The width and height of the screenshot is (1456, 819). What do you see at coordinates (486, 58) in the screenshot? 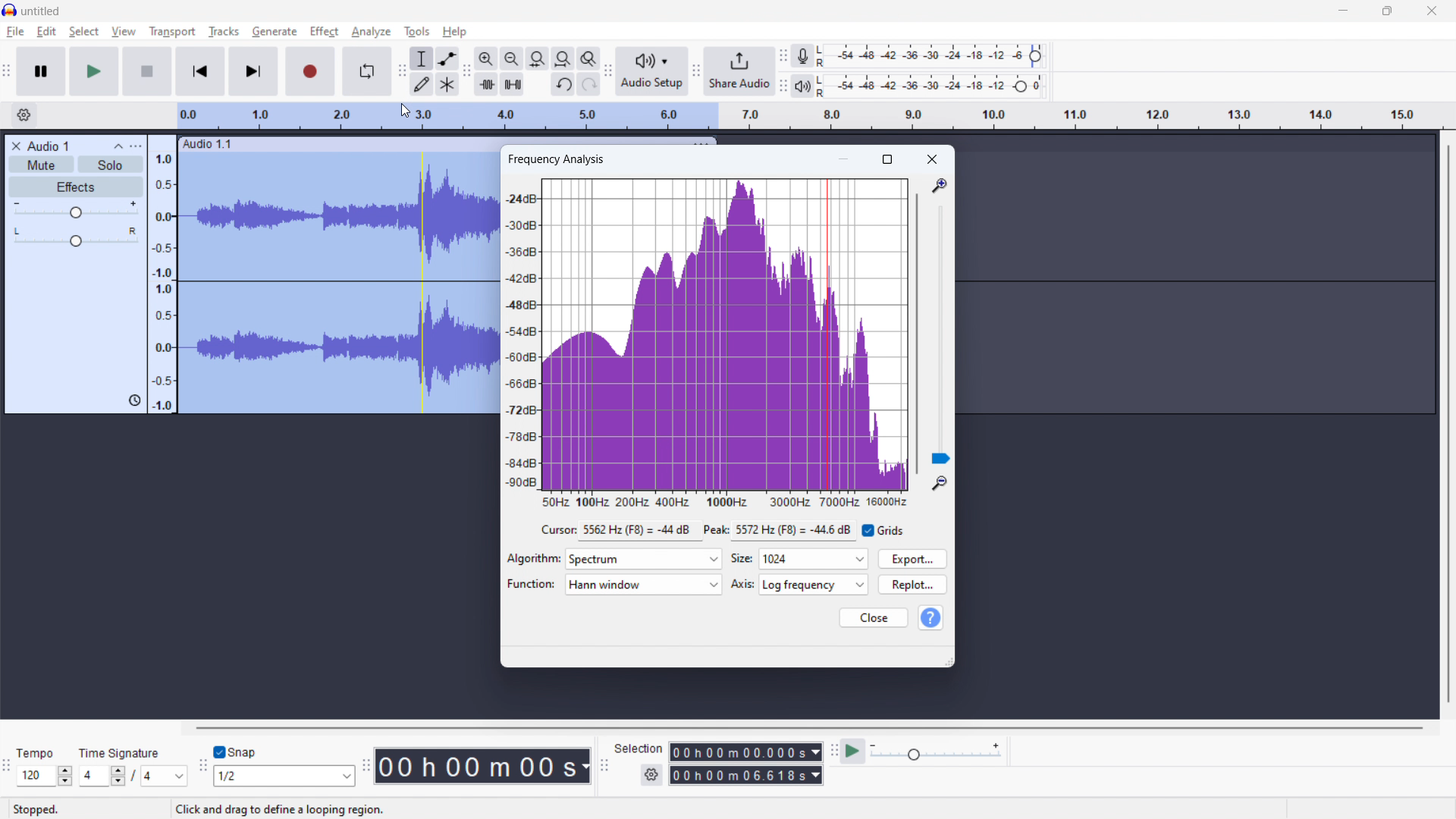
I see `zoom in` at bounding box center [486, 58].